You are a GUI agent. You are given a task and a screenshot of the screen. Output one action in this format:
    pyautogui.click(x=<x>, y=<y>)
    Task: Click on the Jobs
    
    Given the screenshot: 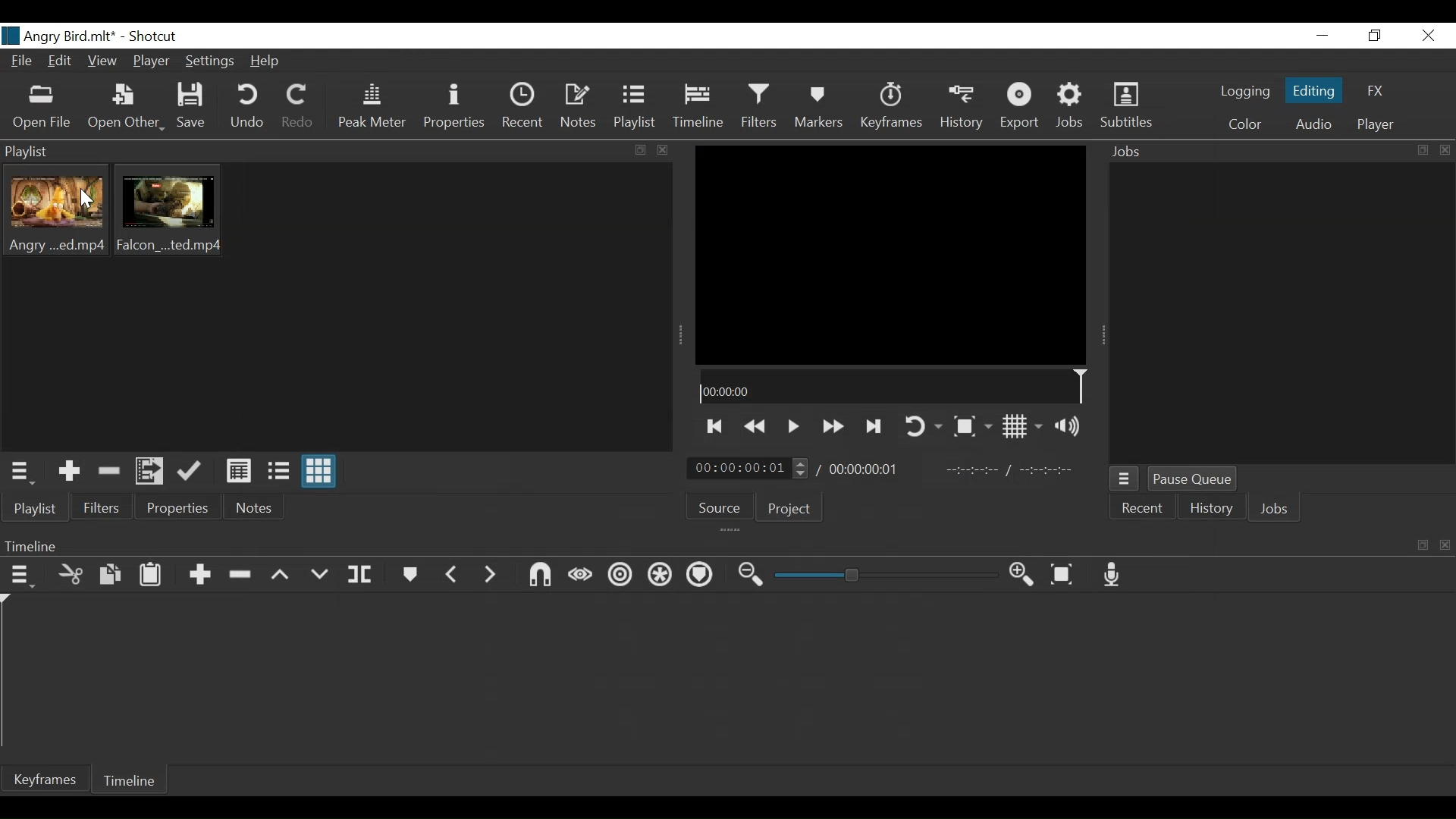 What is the action you would take?
    pyautogui.click(x=1272, y=511)
    